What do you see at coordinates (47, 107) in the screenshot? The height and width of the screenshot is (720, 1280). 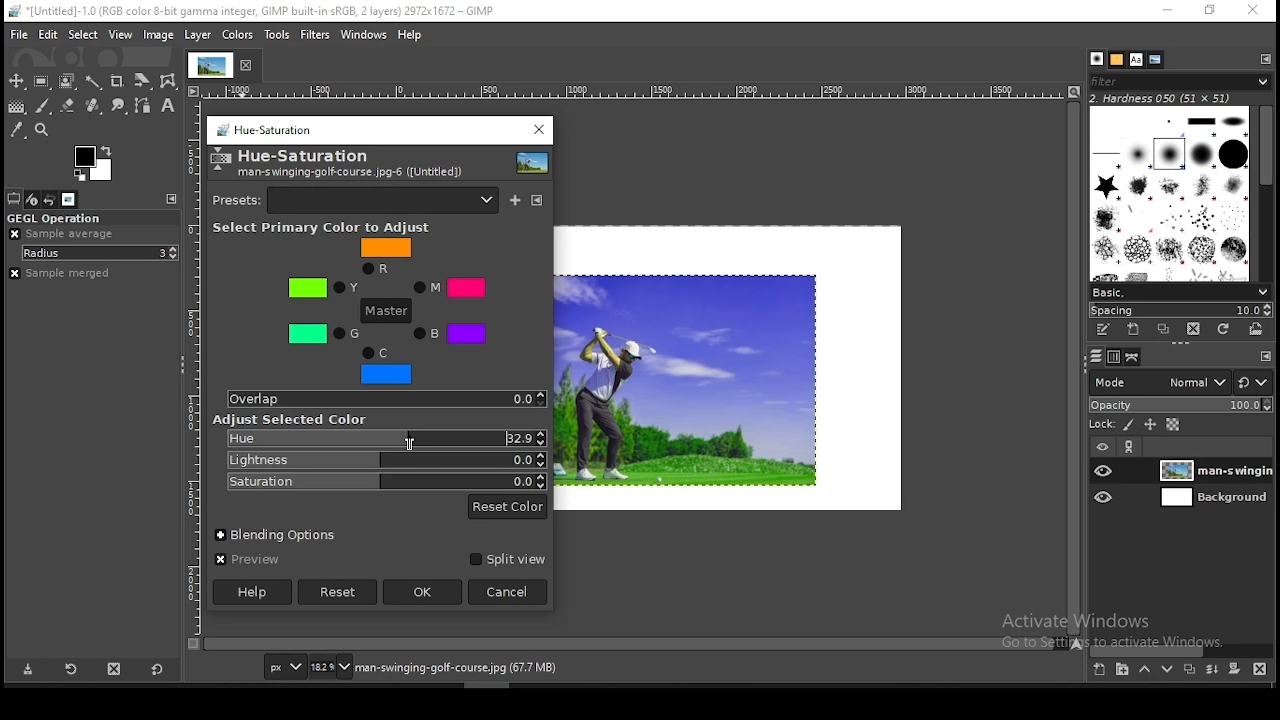 I see `brush tool` at bounding box center [47, 107].